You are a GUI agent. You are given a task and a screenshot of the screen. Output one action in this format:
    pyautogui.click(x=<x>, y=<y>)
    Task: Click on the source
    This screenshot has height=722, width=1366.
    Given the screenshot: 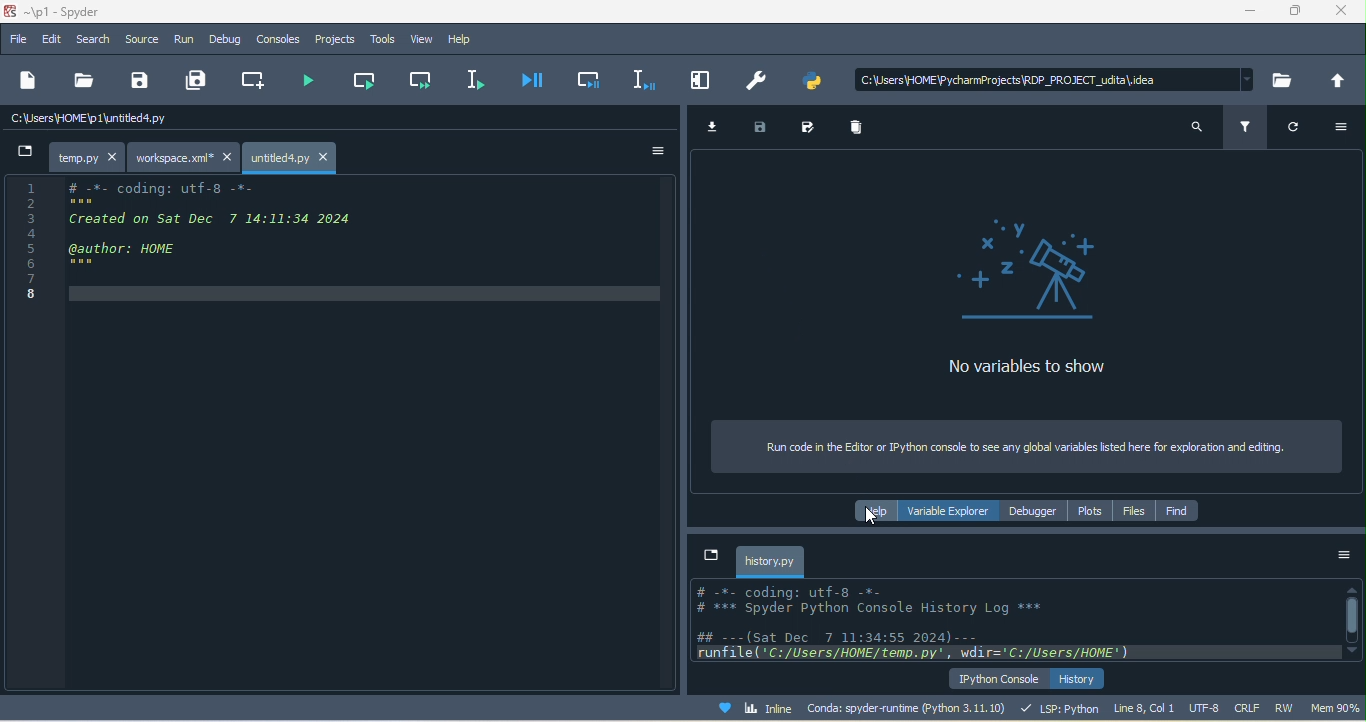 What is the action you would take?
    pyautogui.click(x=148, y=42)
    